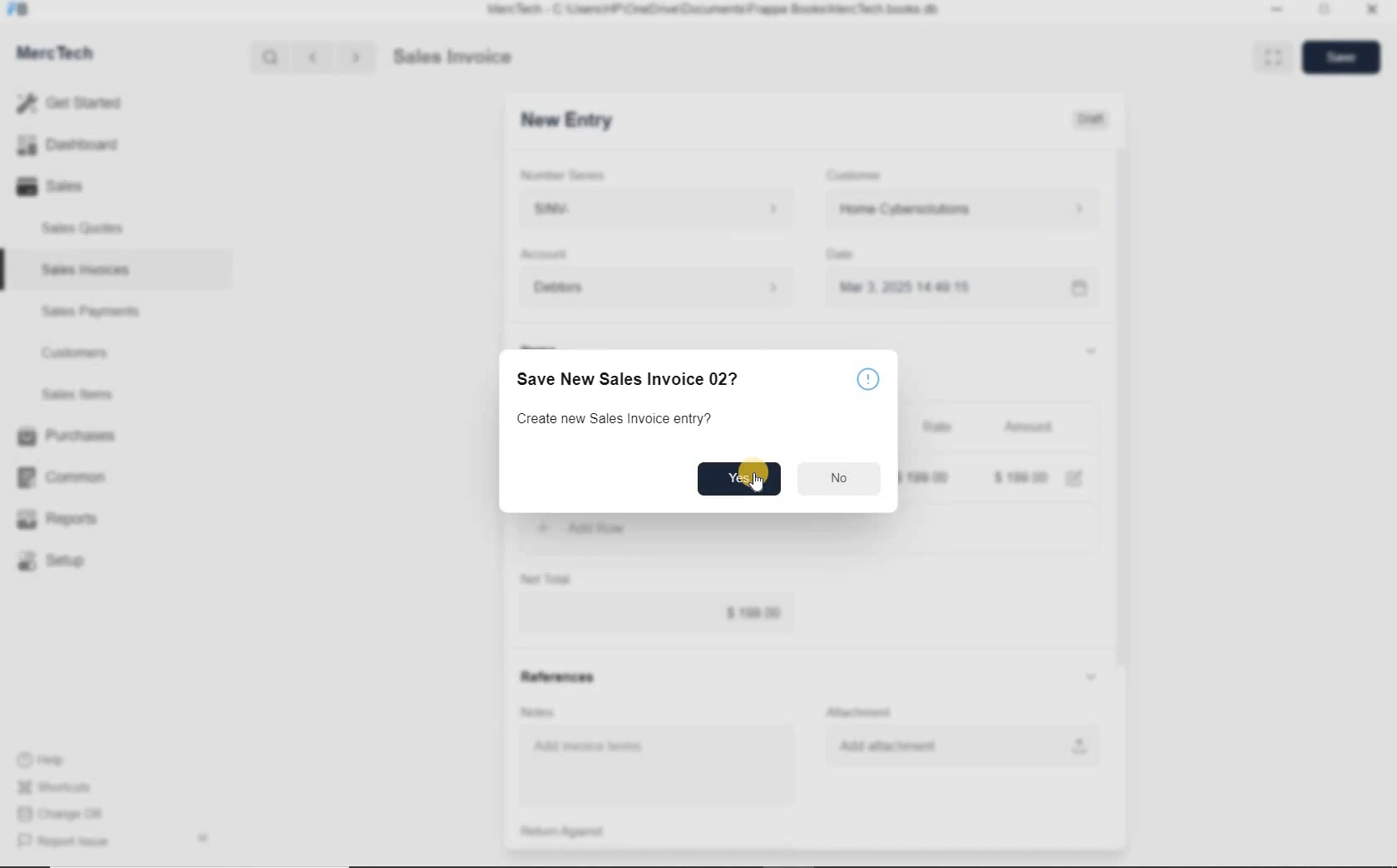 The width and height of the screenshot is (1397, 868). I want to click on Mar 3, 2025 14:49:15, so click(910, 287).